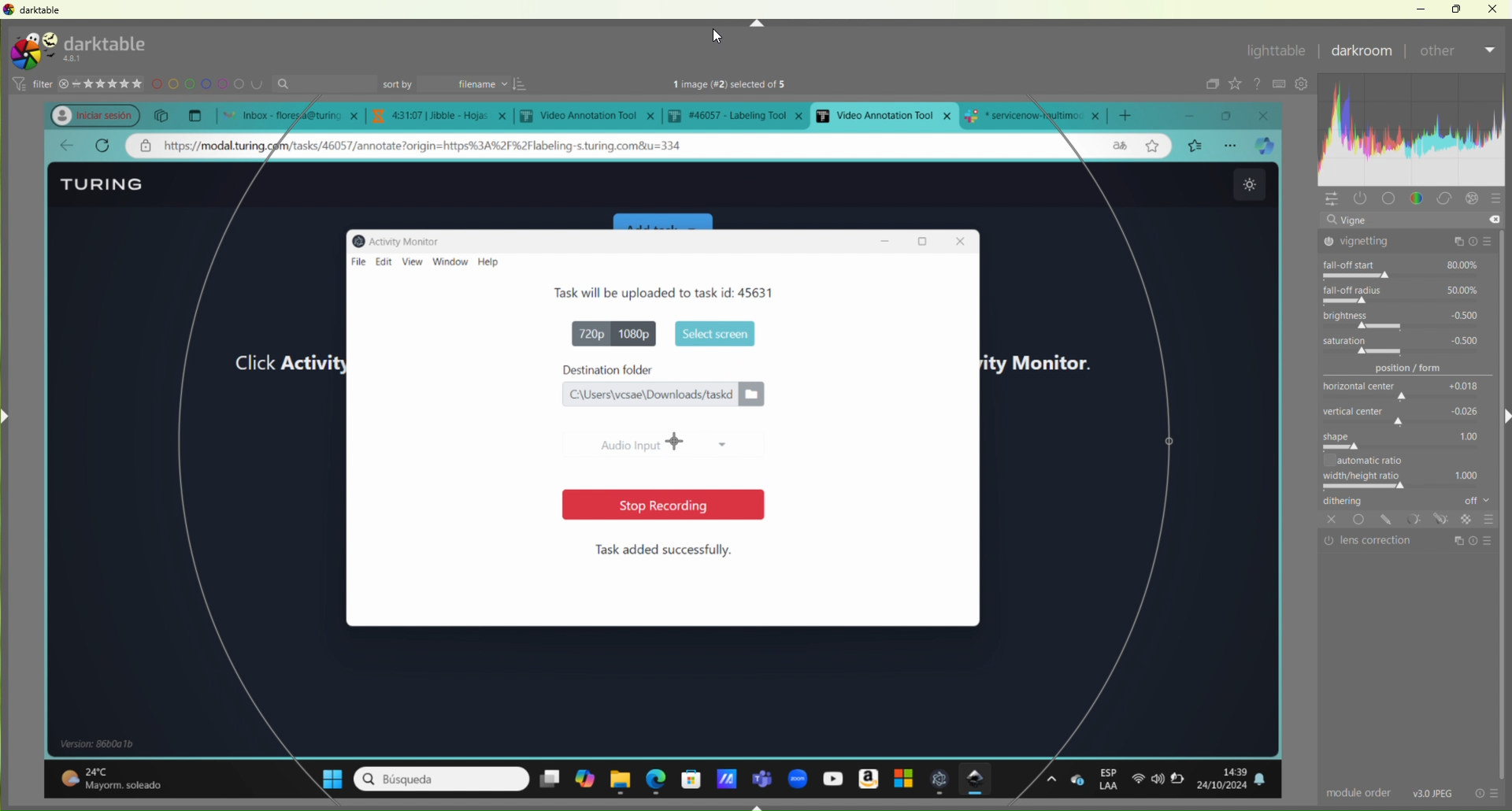  I want to click on v30 jpeg, so click(1429, 792).